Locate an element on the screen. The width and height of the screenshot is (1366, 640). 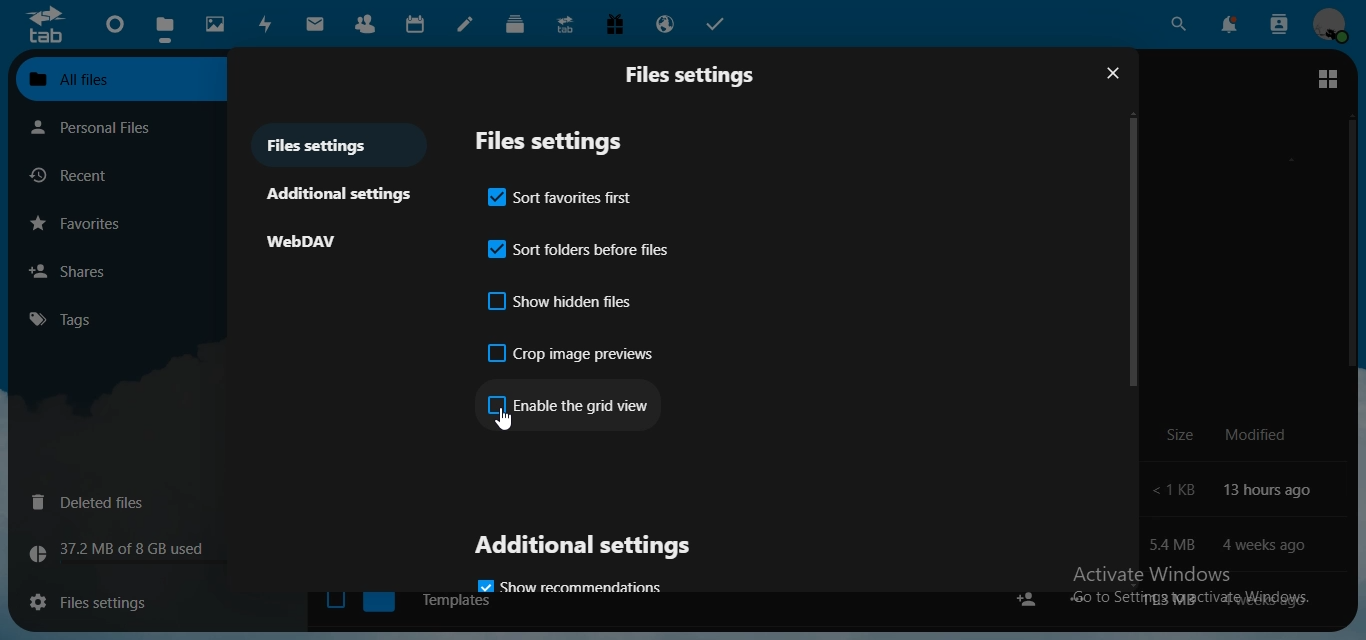
sort favorites first is located at coordinates (563, 194).